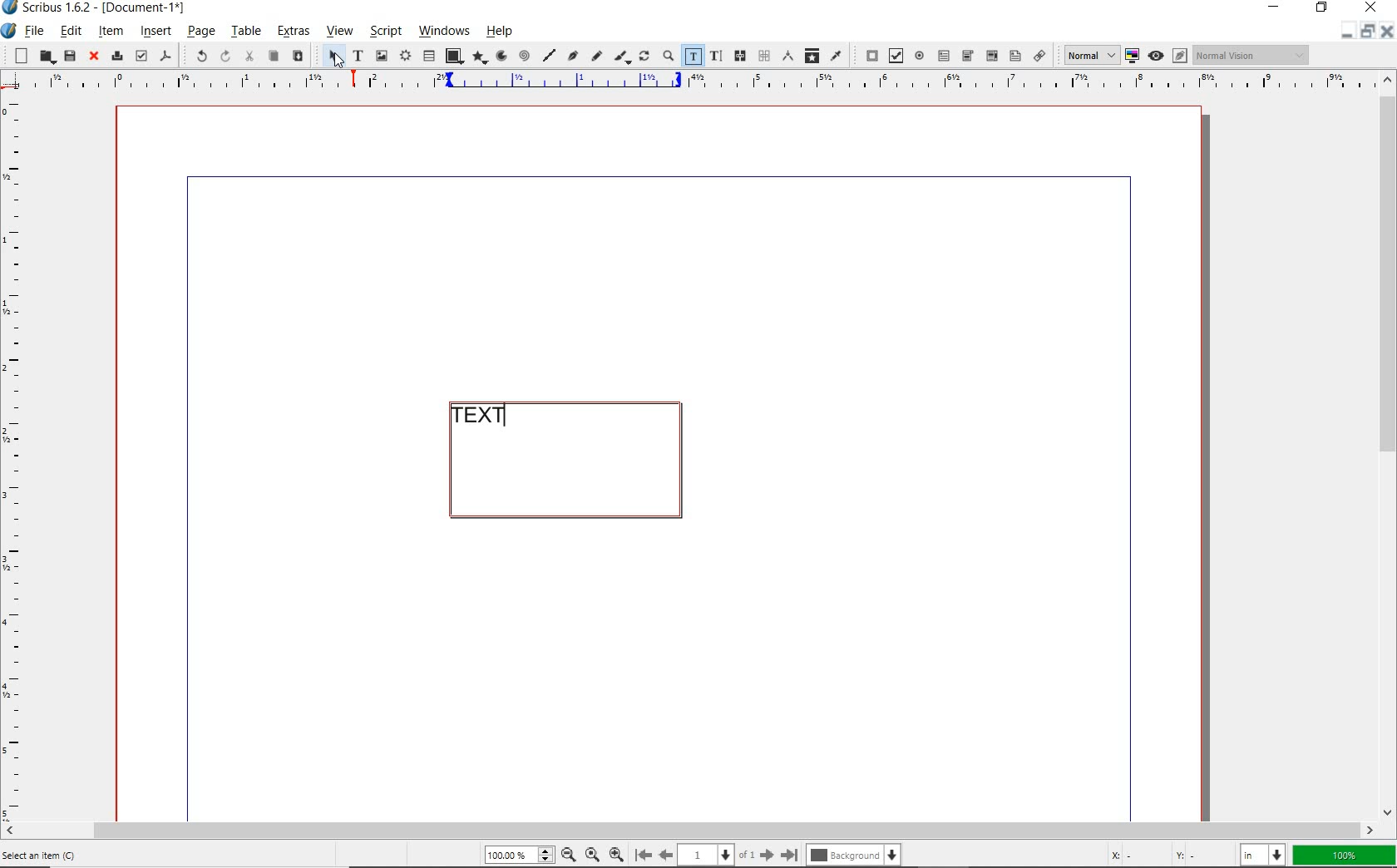 The height and width of the screenshot is (868, 1397). I want to click on pdf combo box, so click(990, 56).